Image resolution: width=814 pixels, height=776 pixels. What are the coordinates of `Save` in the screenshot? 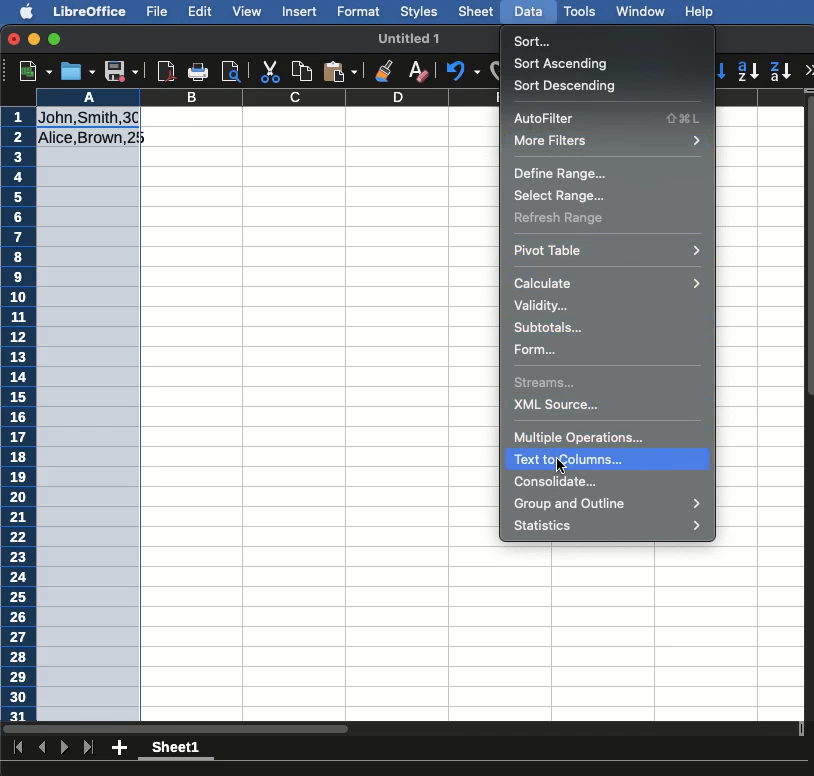 It's located at (122, 69).